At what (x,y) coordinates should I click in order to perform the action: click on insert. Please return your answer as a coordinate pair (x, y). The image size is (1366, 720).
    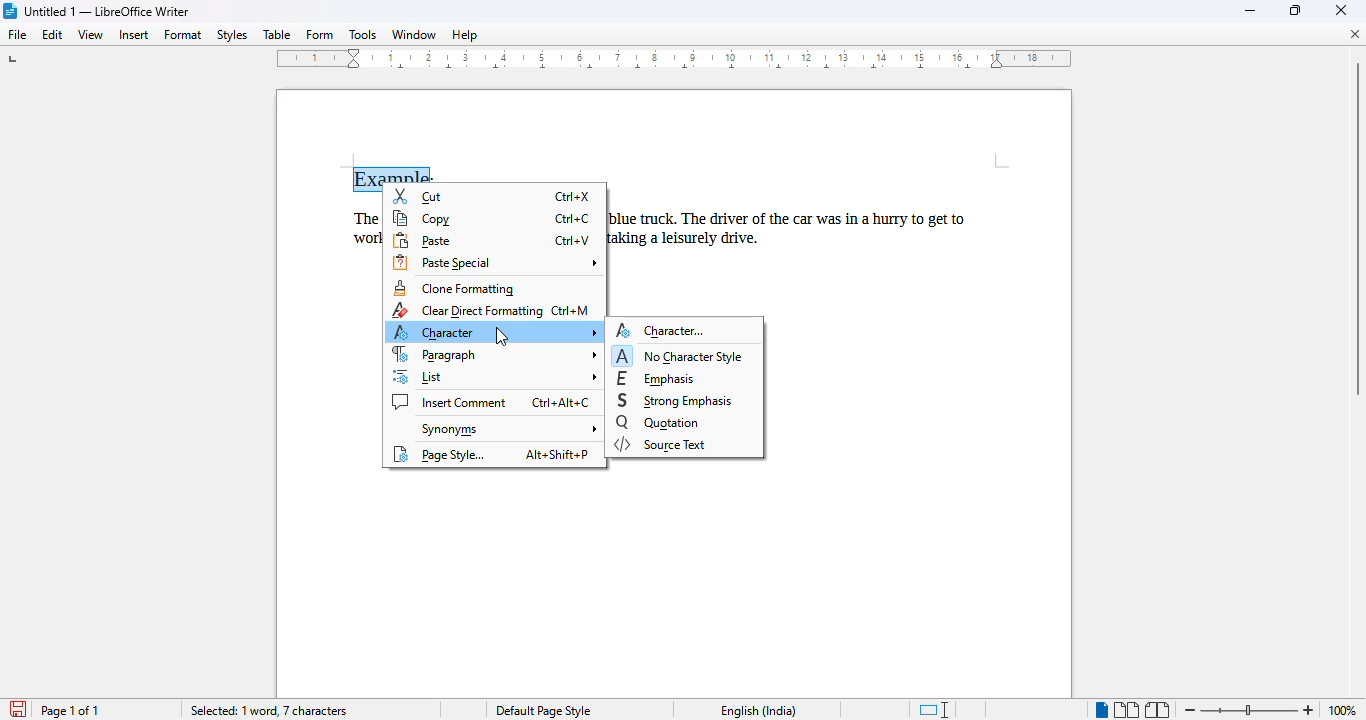
    Looking at the image, I should click on (133, 35).